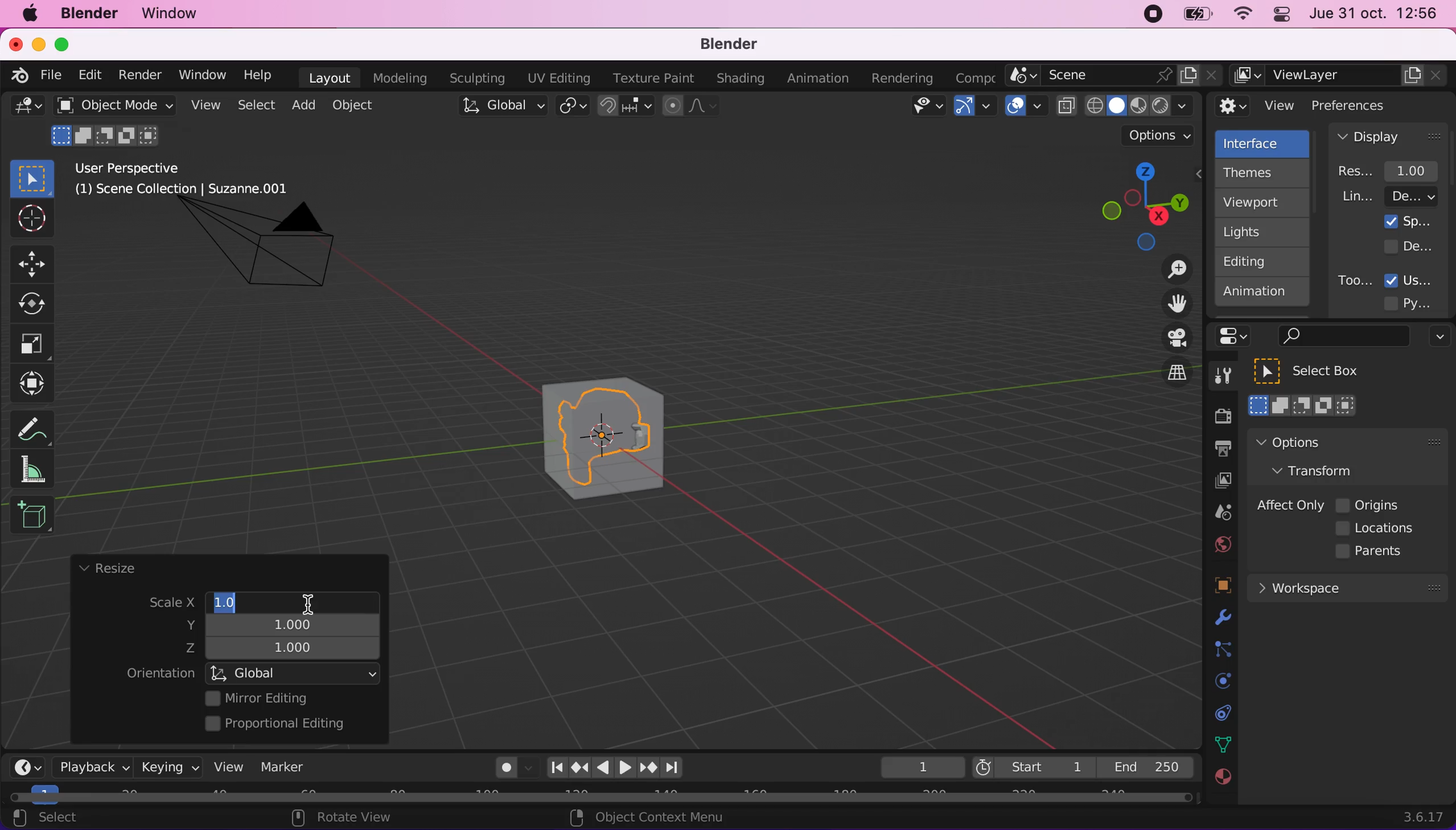  What do you see at coordinates (255, 106) in the screenshot?
I see `select` at bounding box center [255, 106].